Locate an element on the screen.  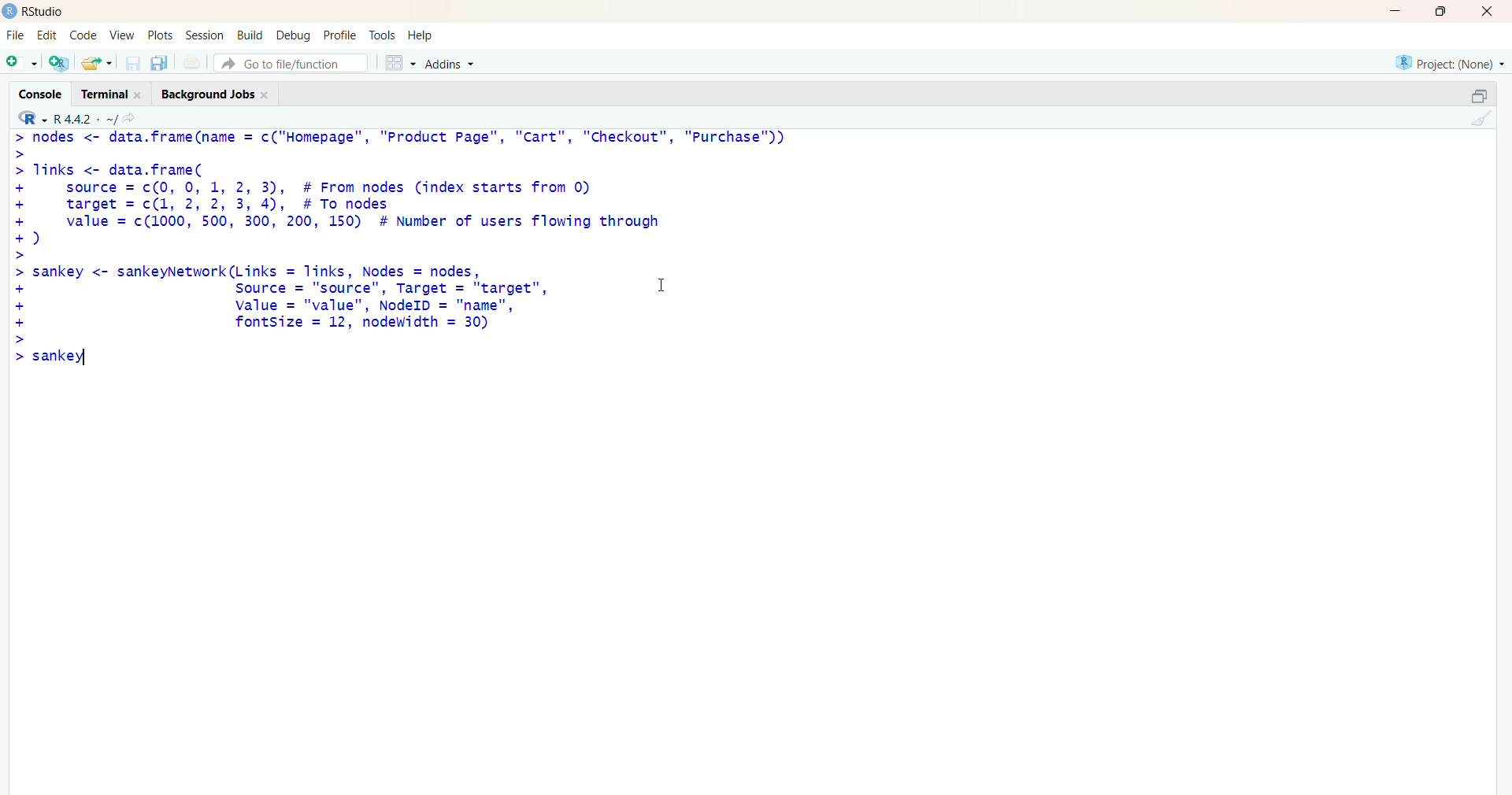
open file is located at coordinates (97, 64).